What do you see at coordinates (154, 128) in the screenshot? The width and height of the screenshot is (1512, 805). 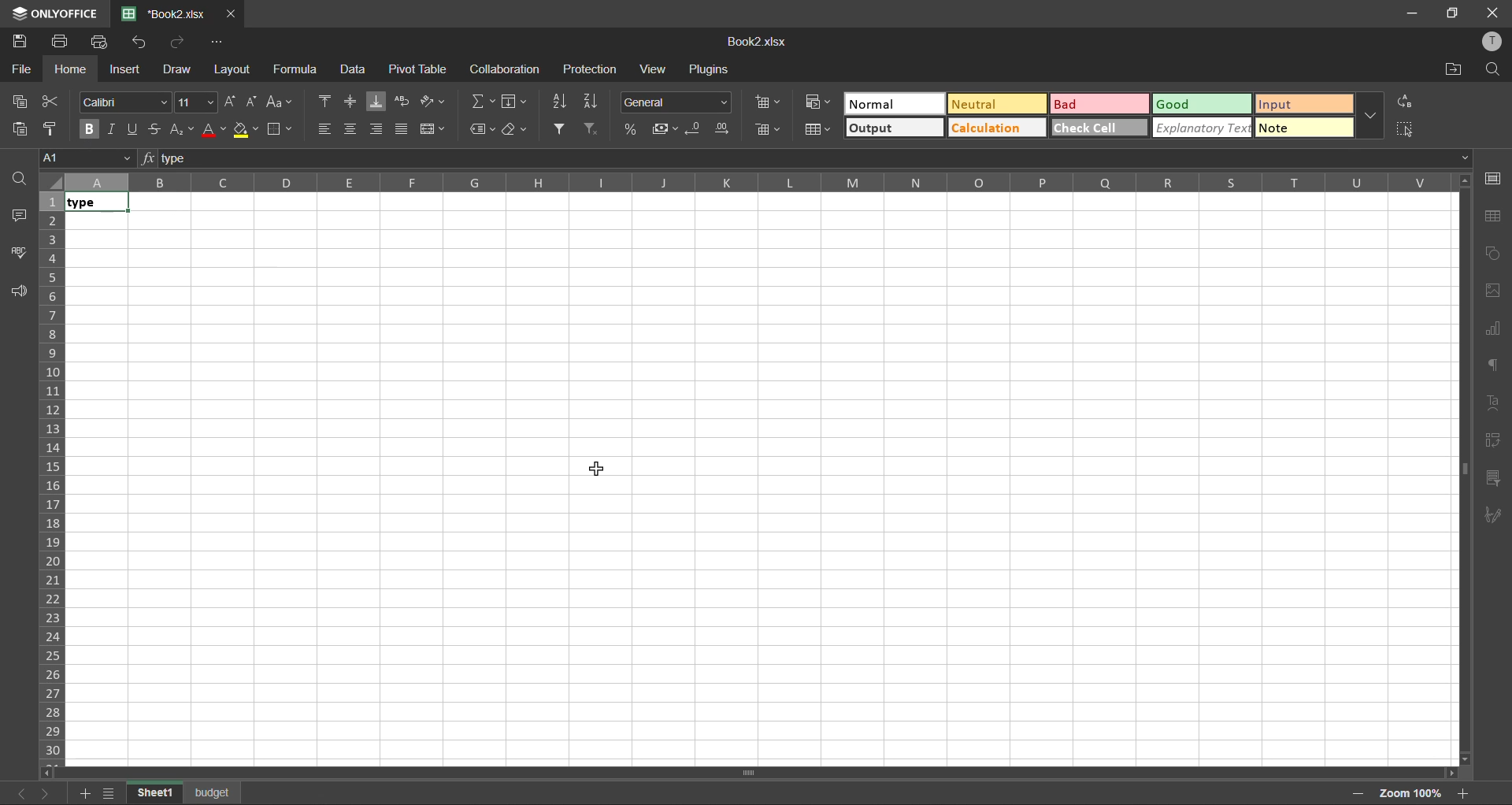 I see `strikethrough` at bounding box center [154, 128].